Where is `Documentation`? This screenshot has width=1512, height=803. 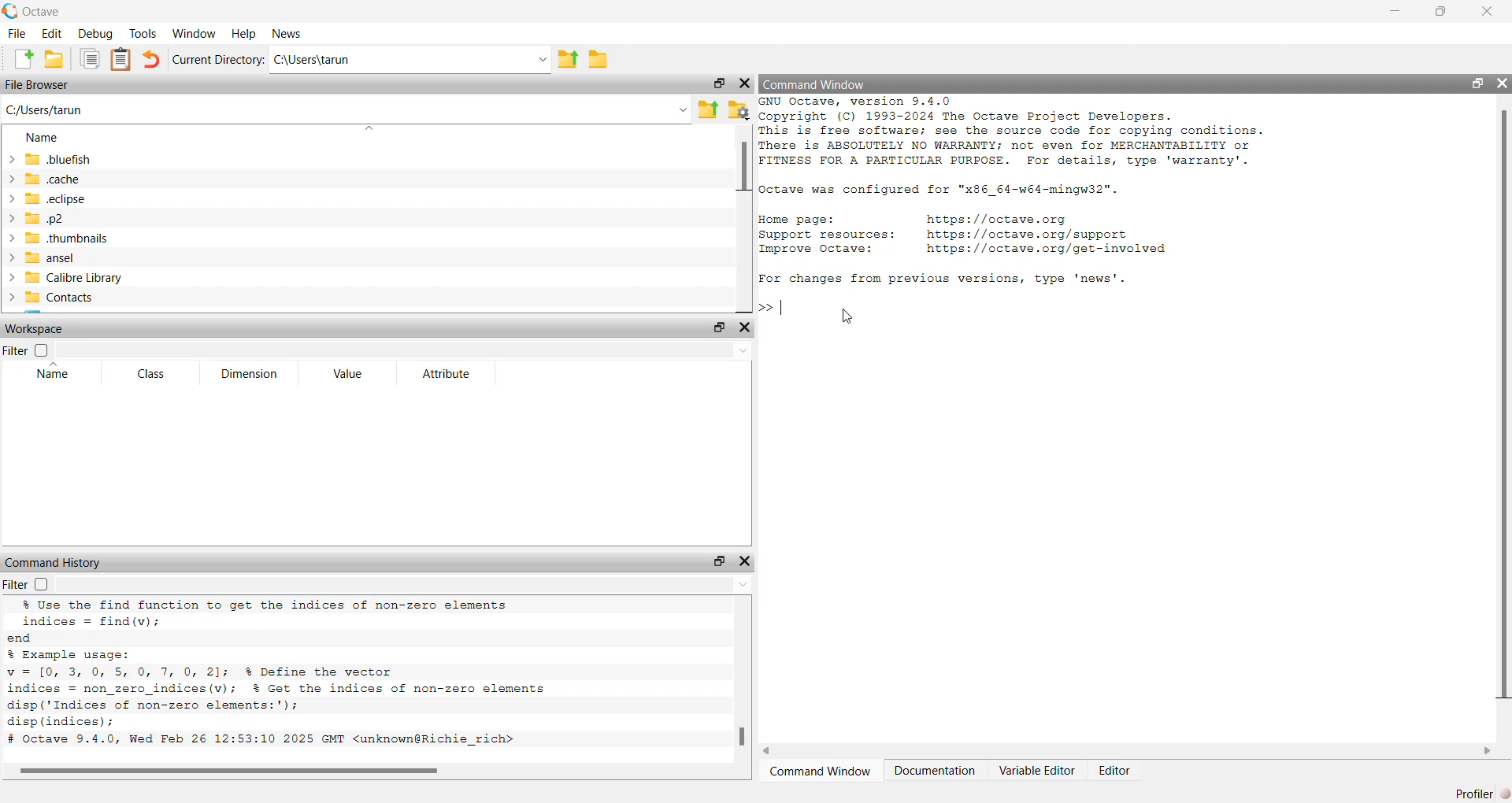 Documentation is located at coordinates (935, 775).